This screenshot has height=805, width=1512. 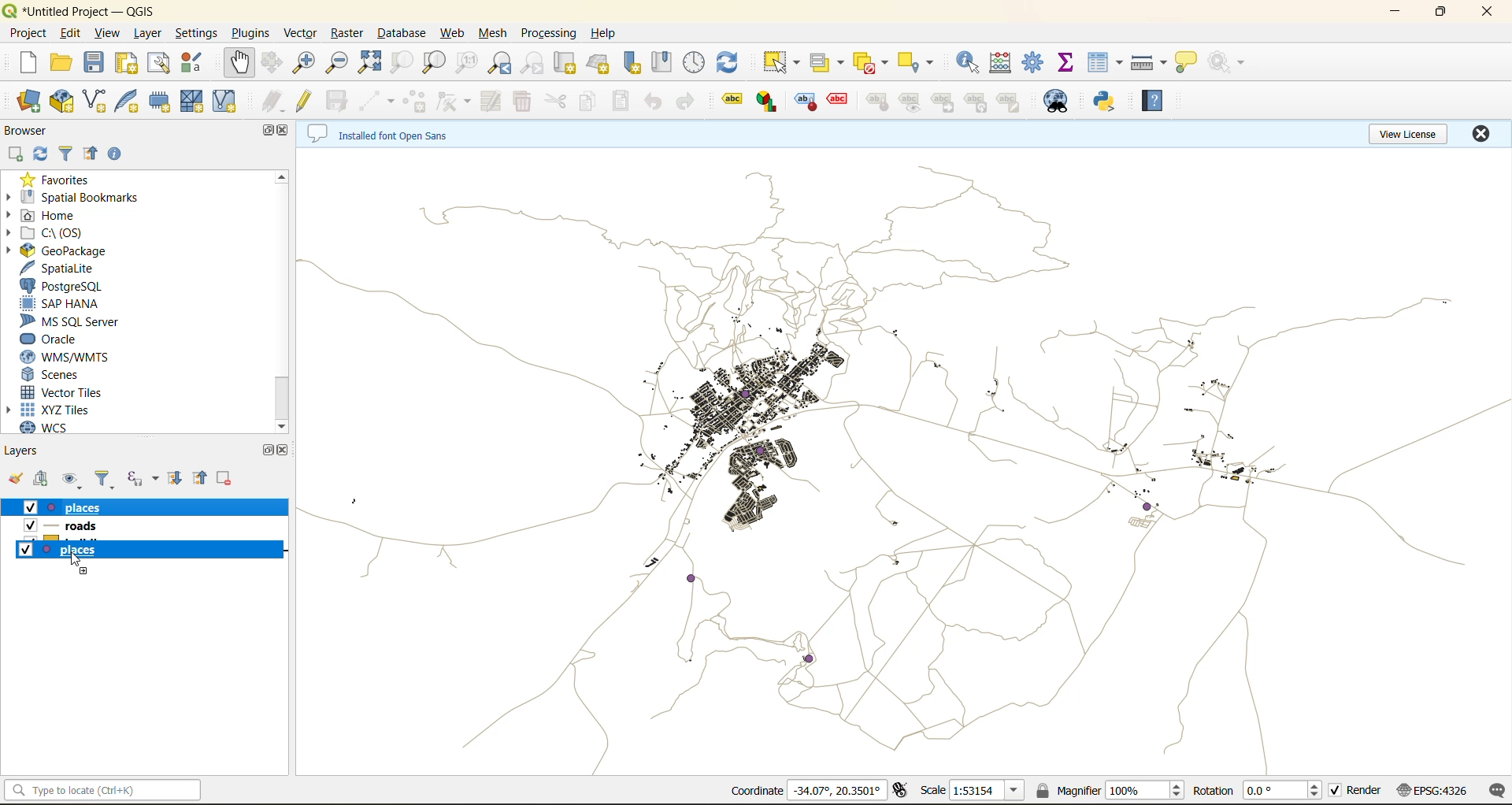 I want to click on roads, so click(x=99, y=531).